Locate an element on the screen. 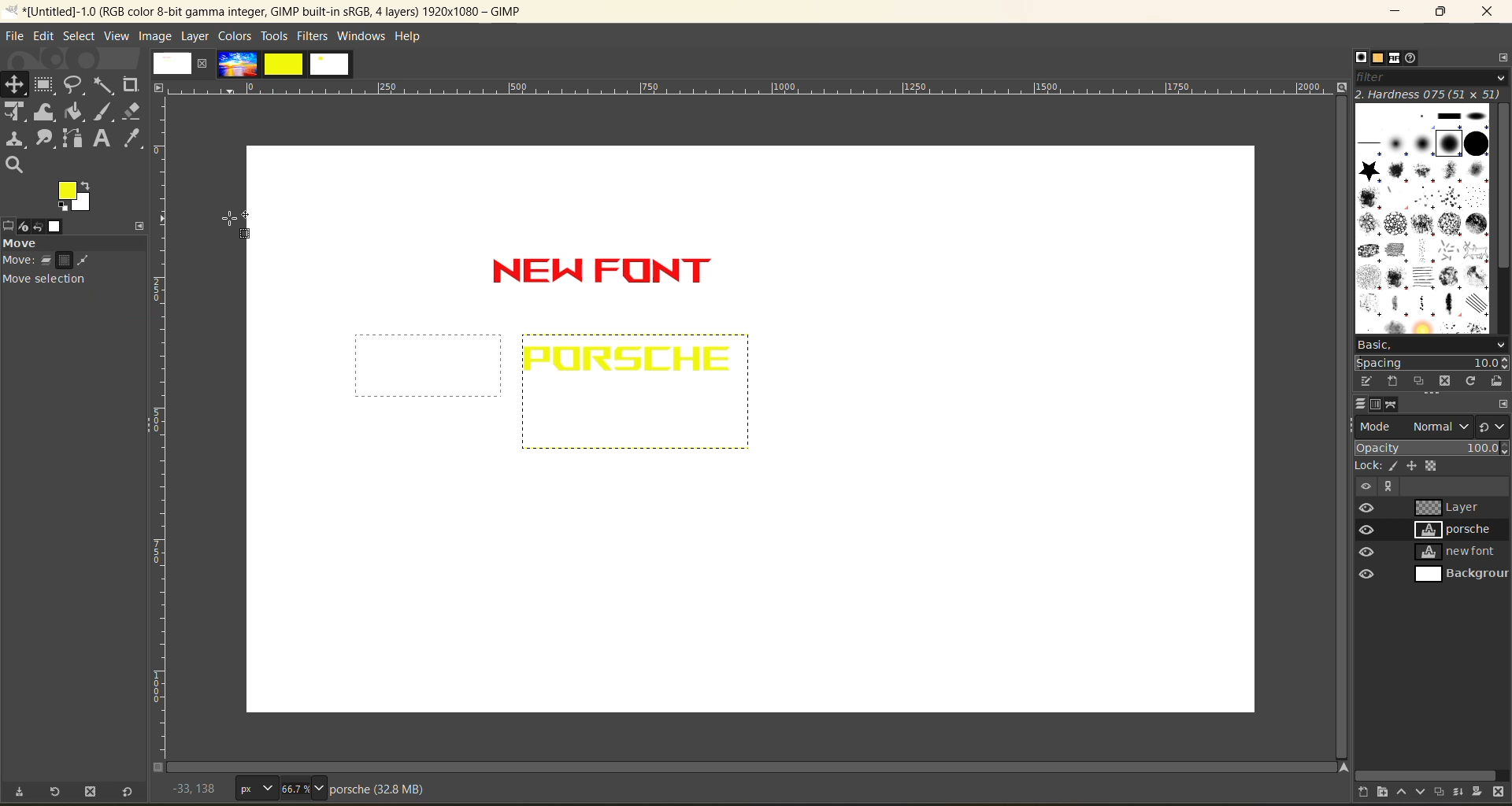 Image resolution: width=1512 pixels, height=806 pixels. device status redo is located at coordinates (31, 227).